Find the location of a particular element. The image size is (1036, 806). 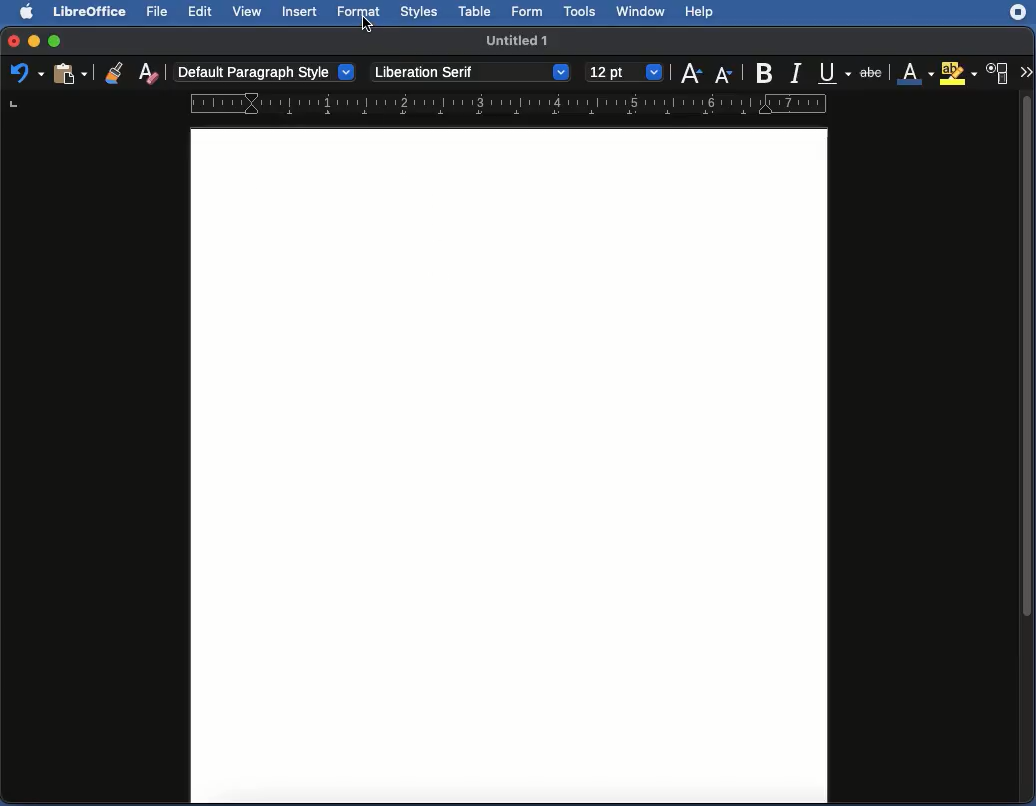

Paragraph style is located at coordinates (265, 70).